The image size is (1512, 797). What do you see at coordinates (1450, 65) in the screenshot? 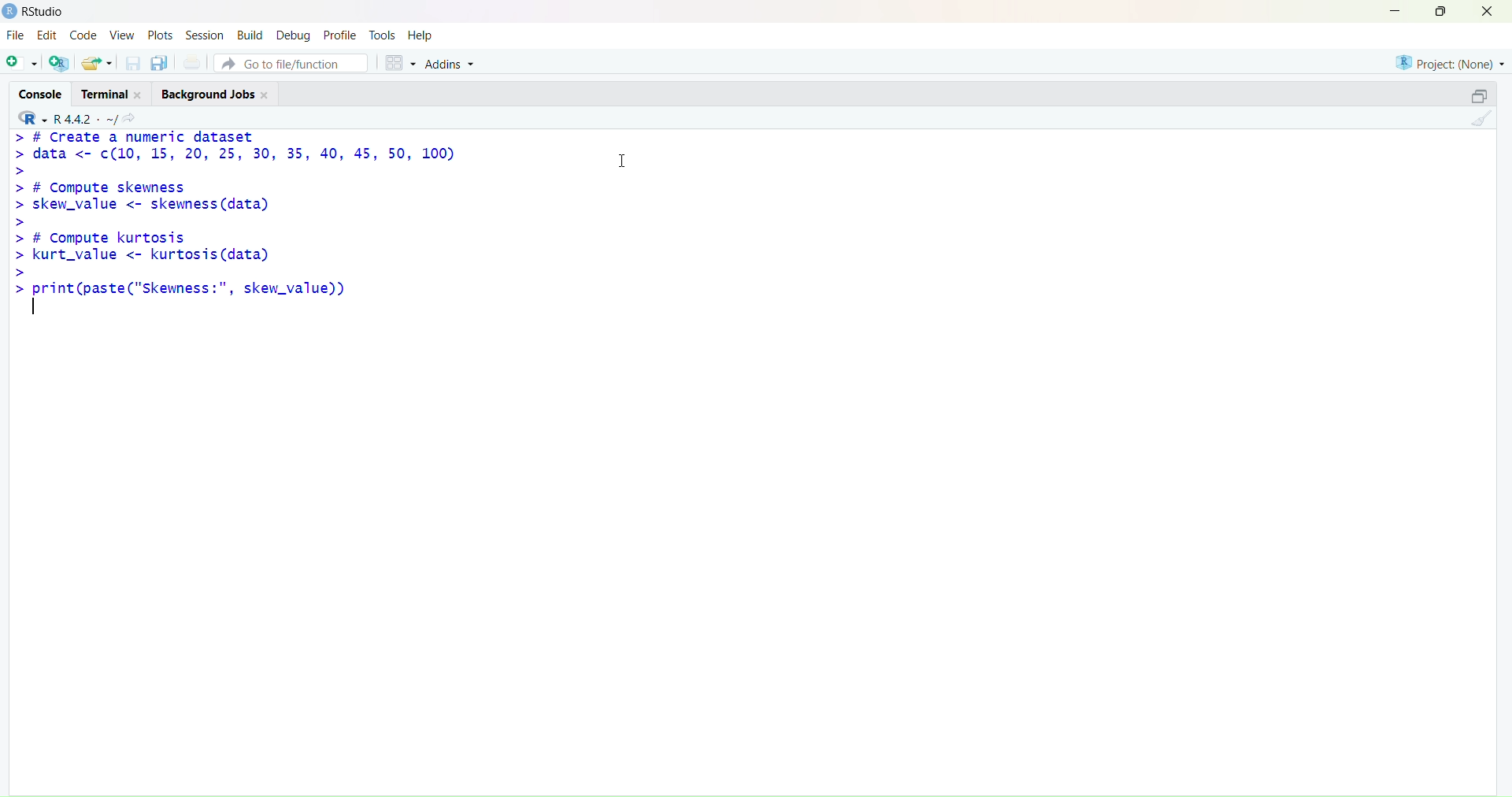
I see `Project (None)` at bounding box center [1450, 65].